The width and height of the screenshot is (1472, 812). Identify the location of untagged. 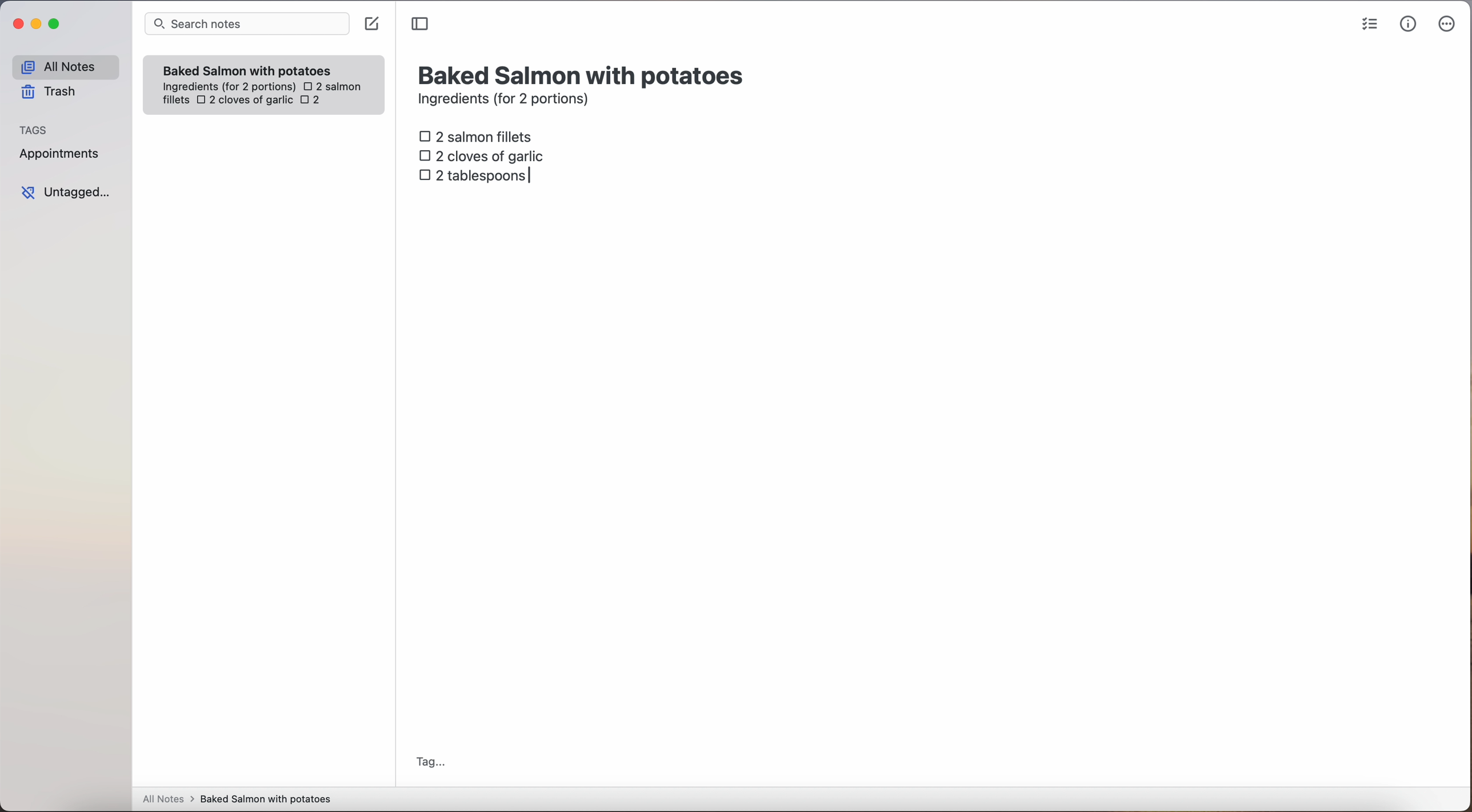
(67, 192).